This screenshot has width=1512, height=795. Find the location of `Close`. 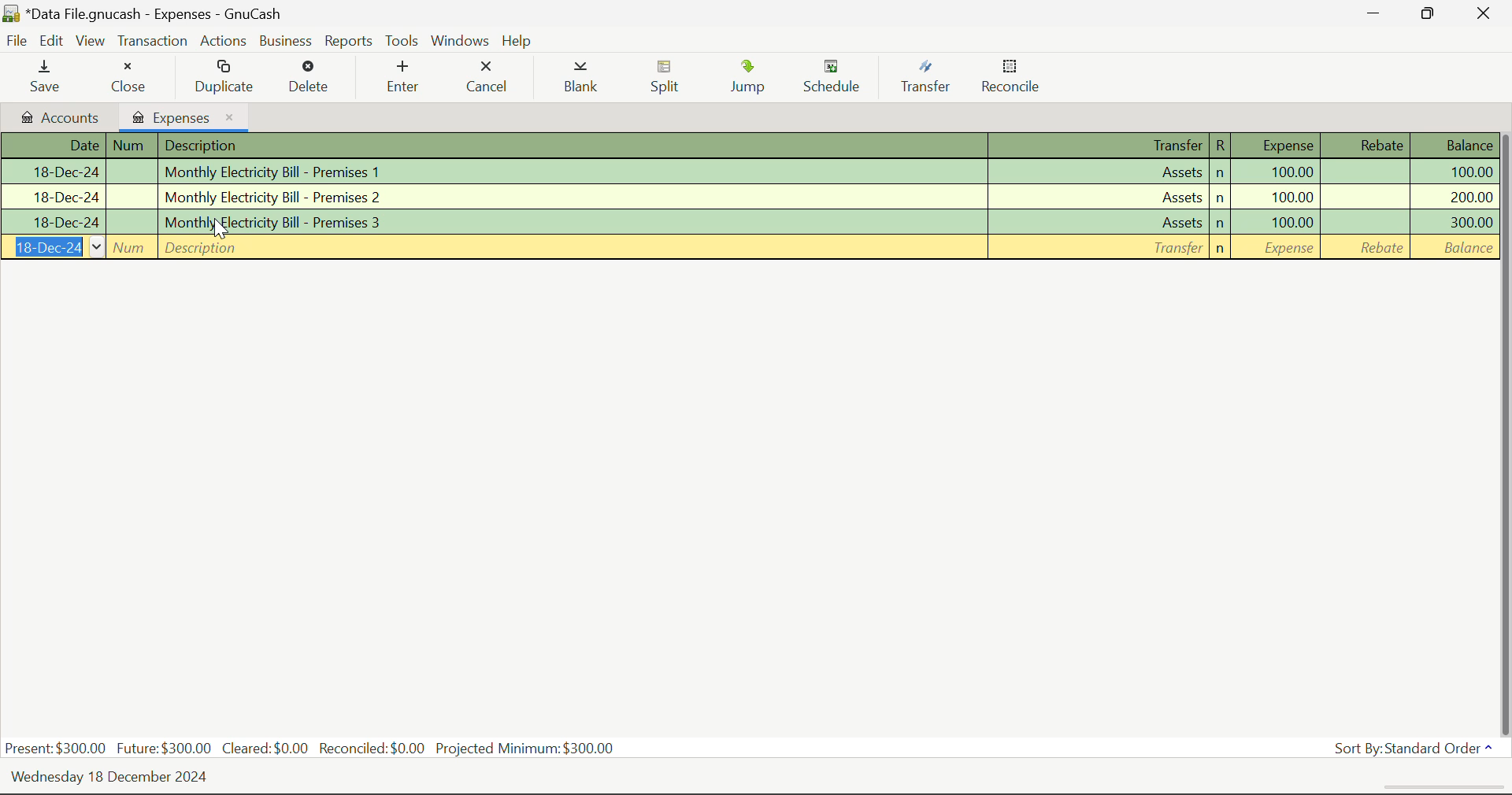

Close is located at coordinates (128, 79).